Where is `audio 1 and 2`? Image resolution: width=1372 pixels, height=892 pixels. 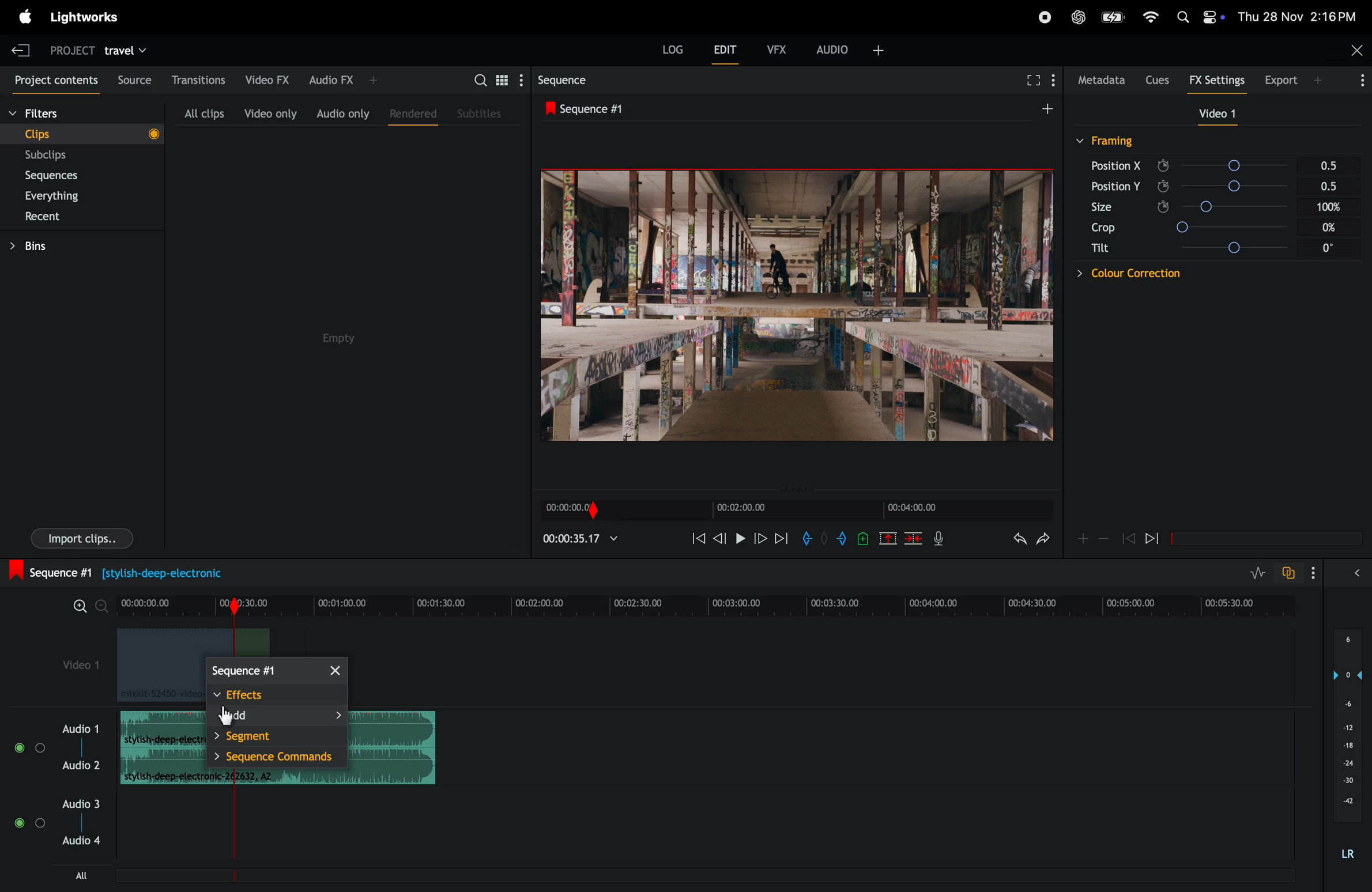 audio 1 and 2 is located at coordinates (58, 753).